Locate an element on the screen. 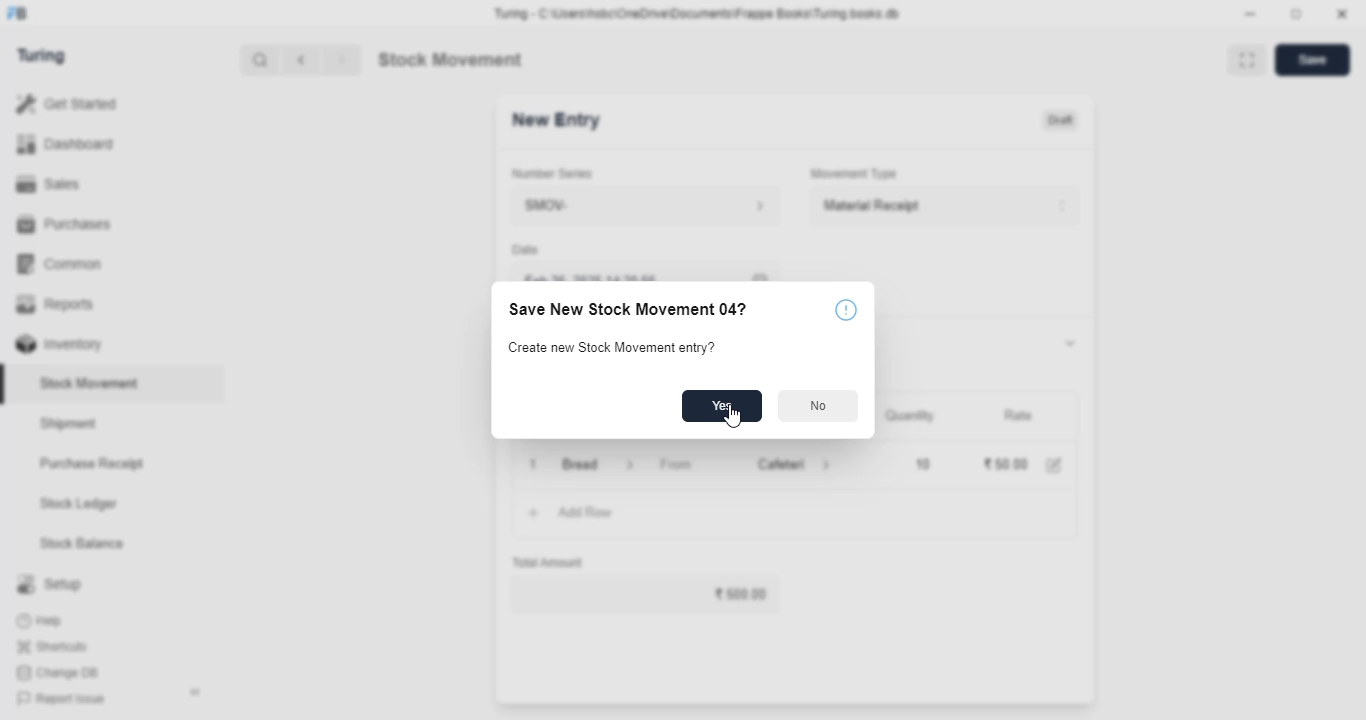  previous is located at coordinates (302, 60).